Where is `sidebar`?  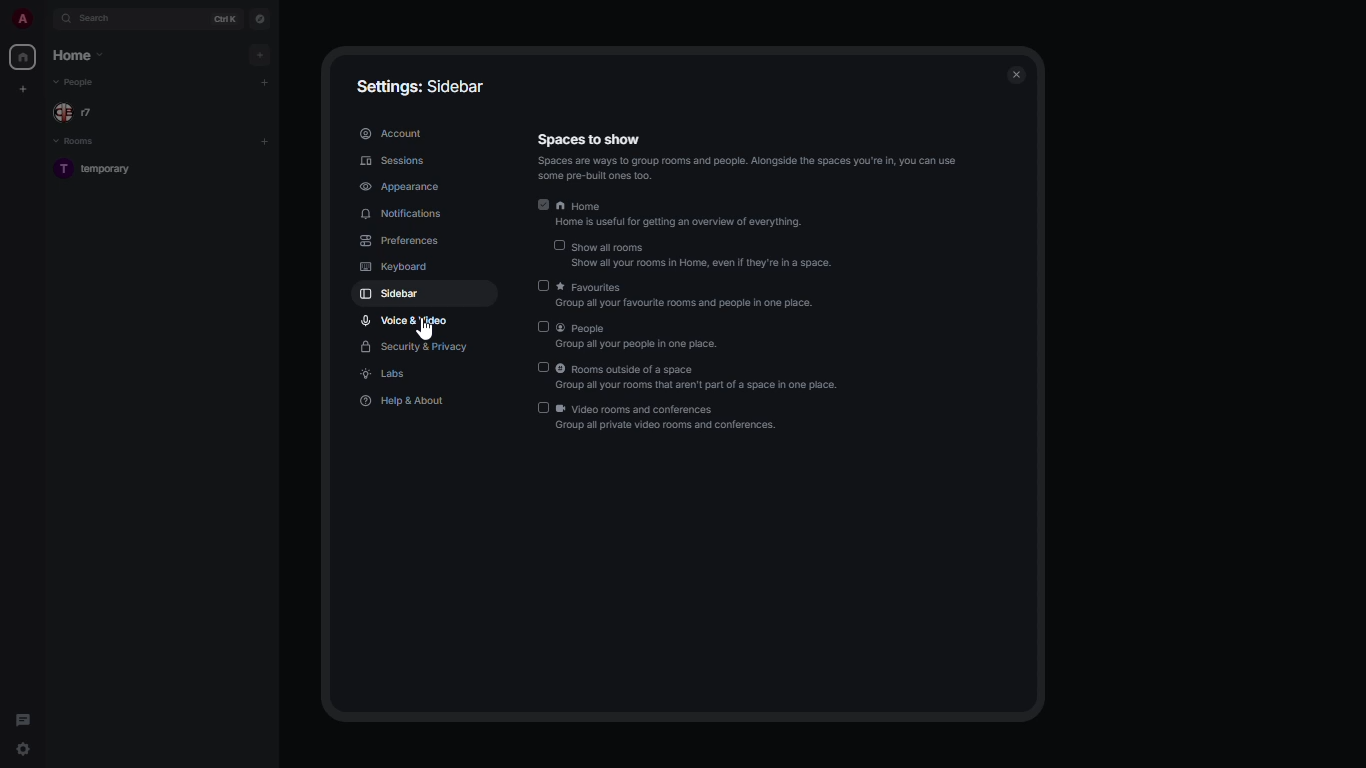 sidebar is located at coordinates (392, 295).